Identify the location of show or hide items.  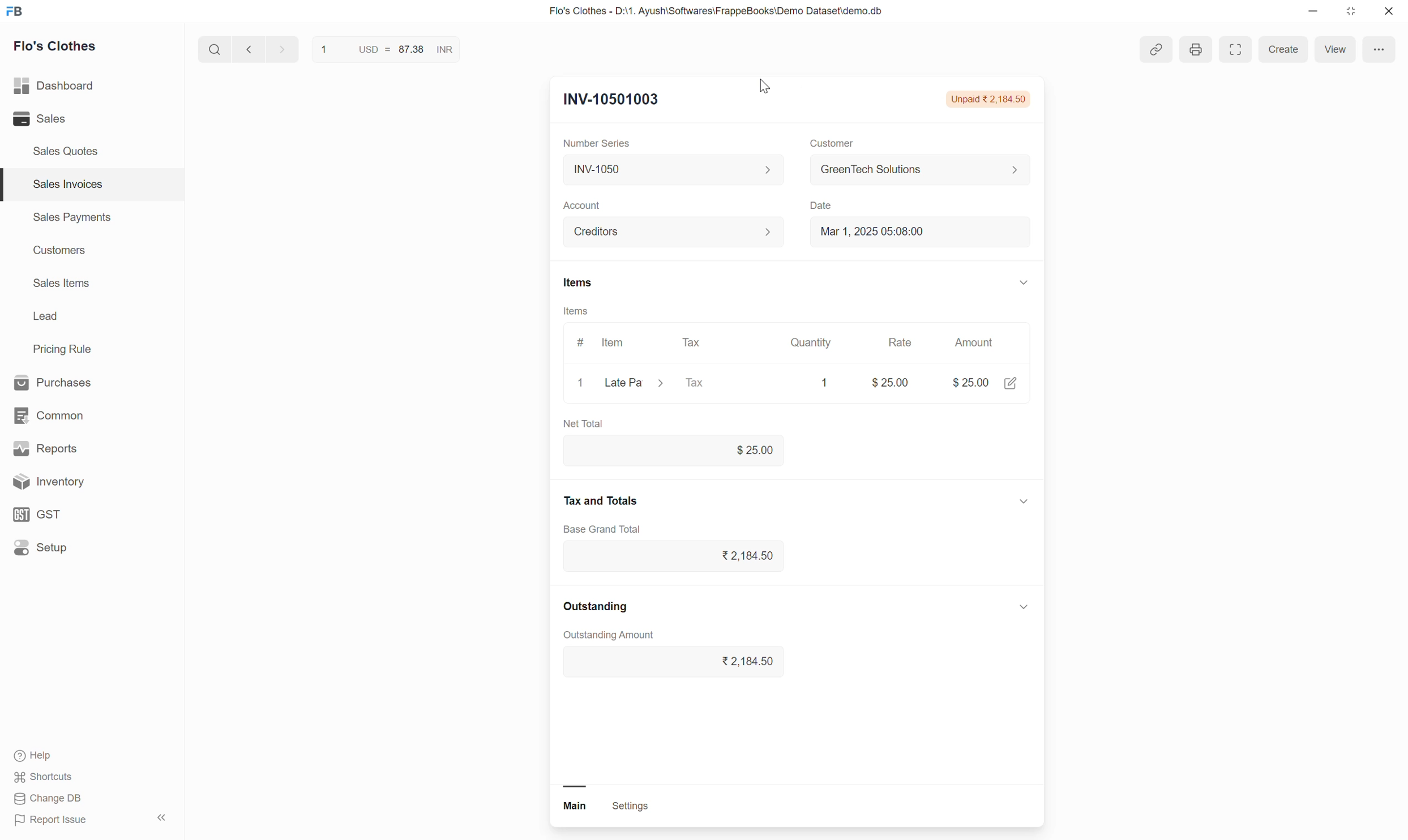
(1024, 282).